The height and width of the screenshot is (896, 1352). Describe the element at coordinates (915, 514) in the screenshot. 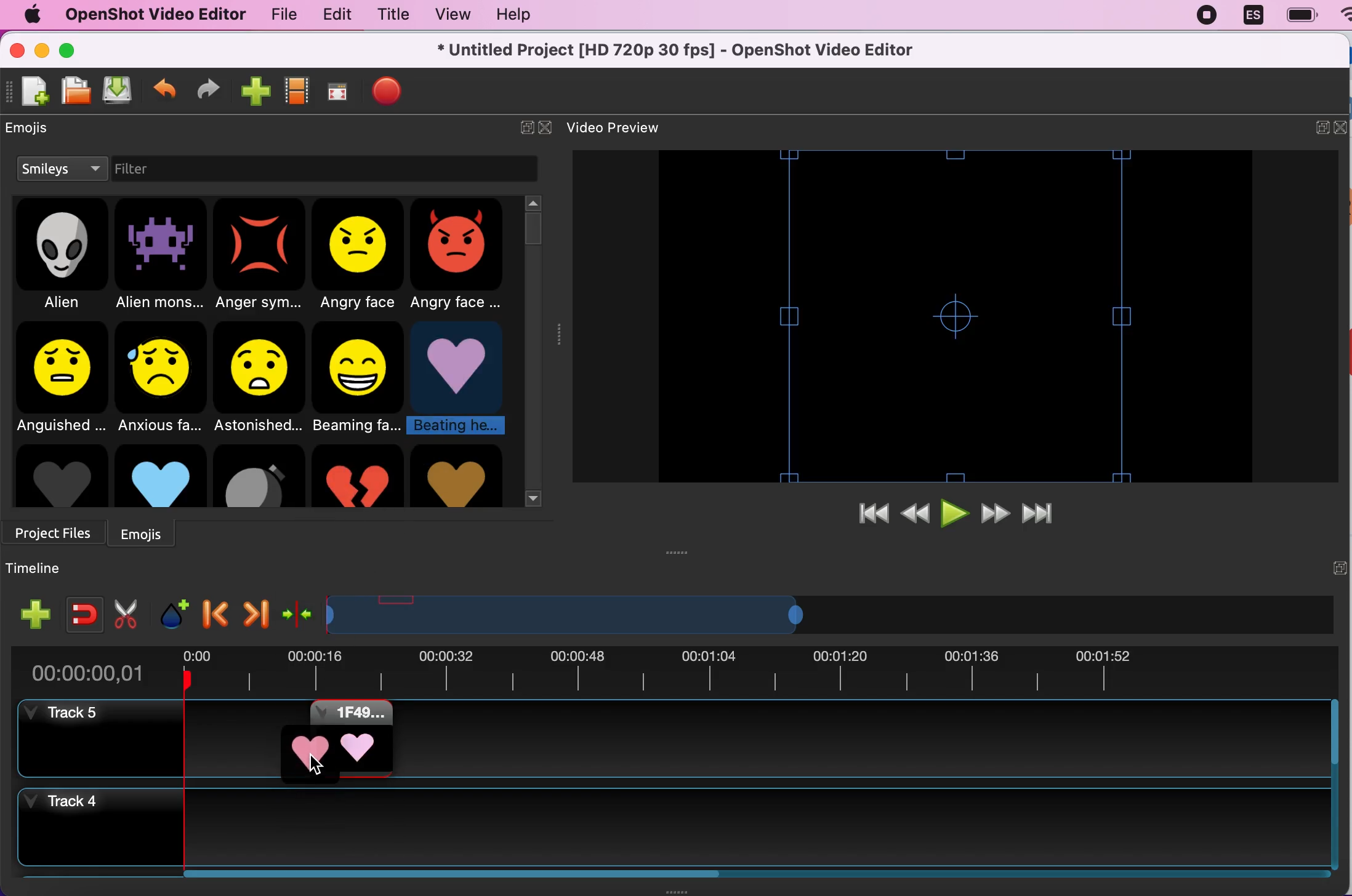

I see `rewind` at that location.